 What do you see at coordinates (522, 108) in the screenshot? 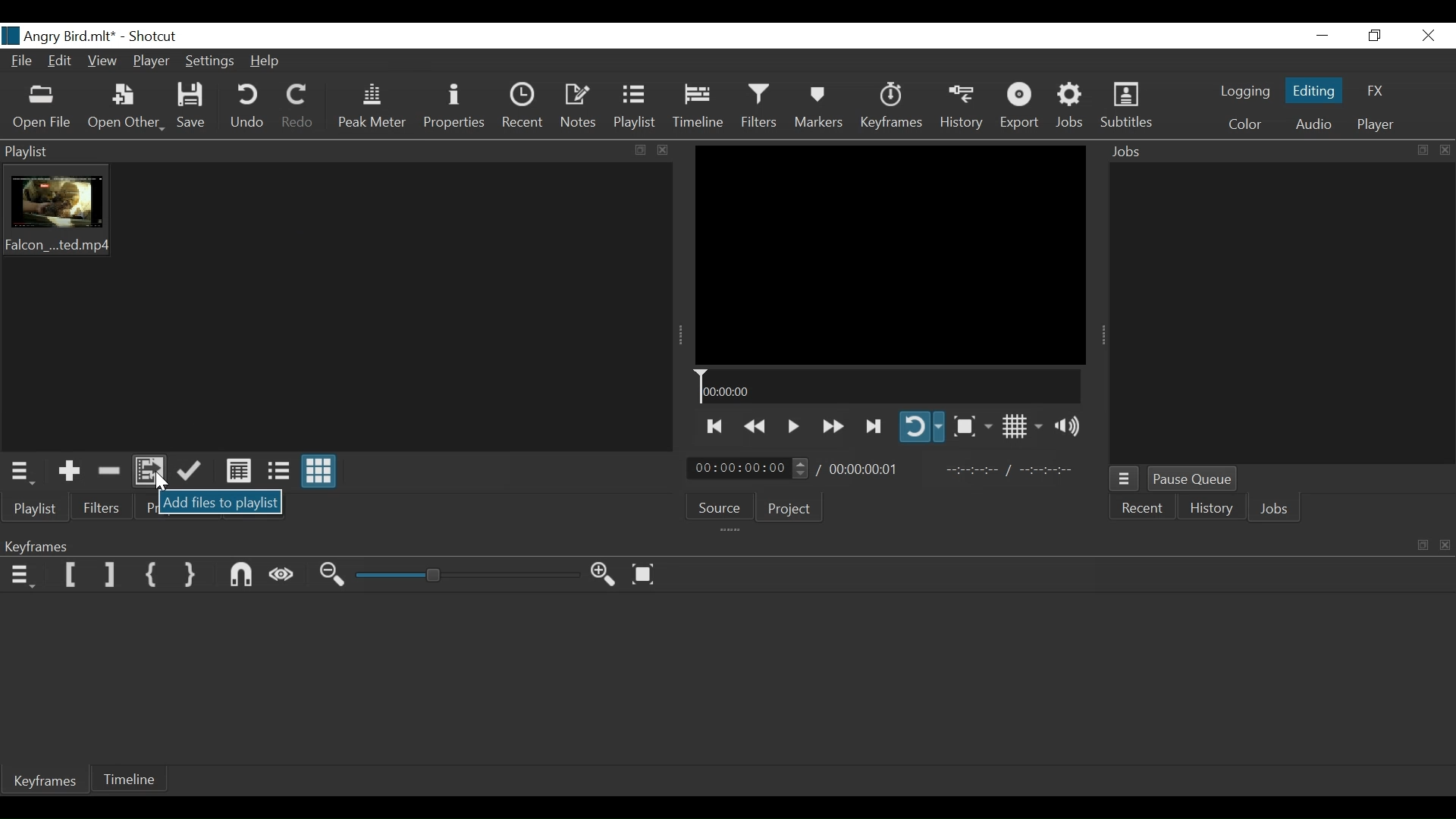
I see `Recent` at bounding box center [522, 108].